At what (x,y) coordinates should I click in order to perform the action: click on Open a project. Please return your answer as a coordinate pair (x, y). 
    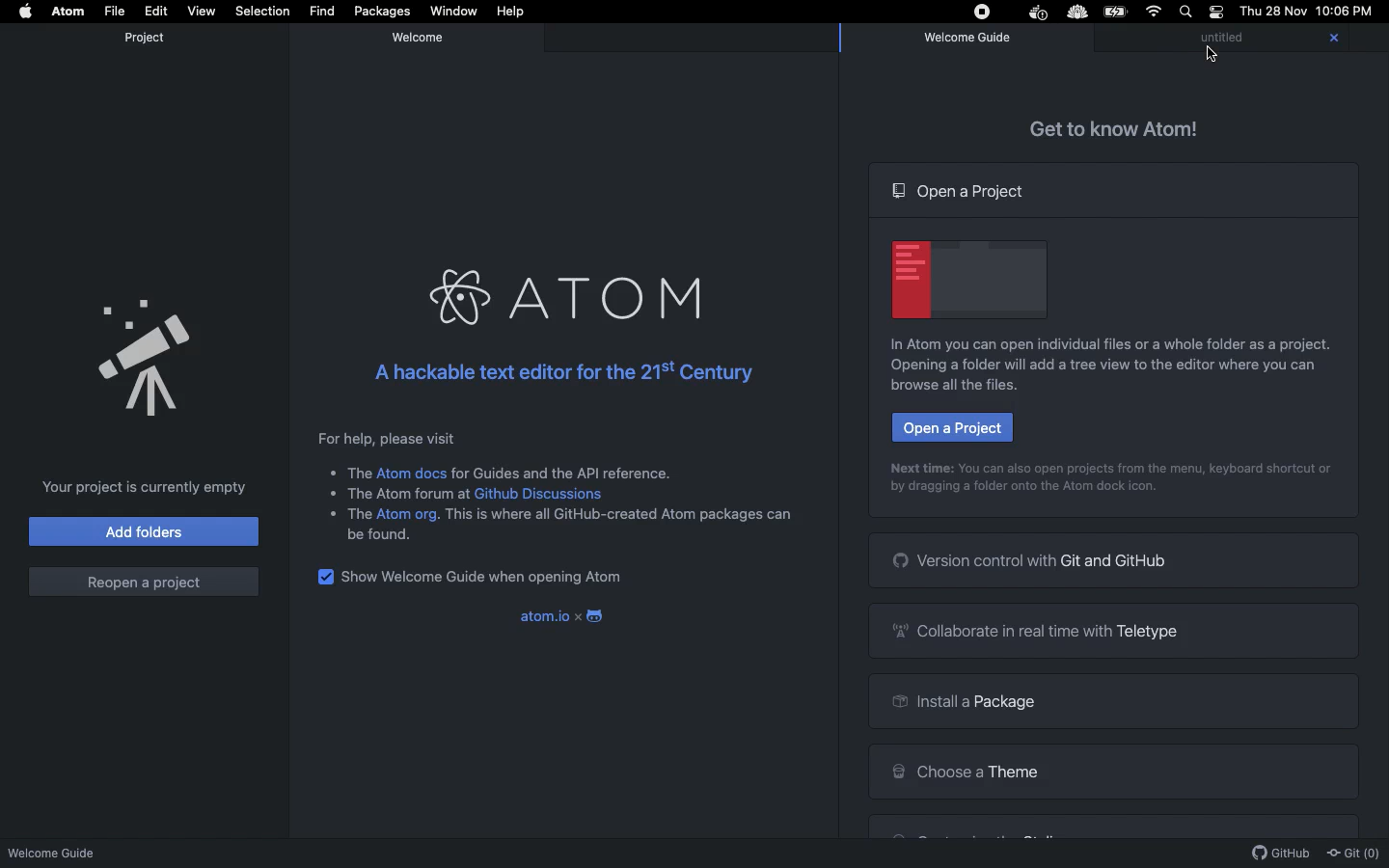
    Looking at the image, I should click on (952, 426).